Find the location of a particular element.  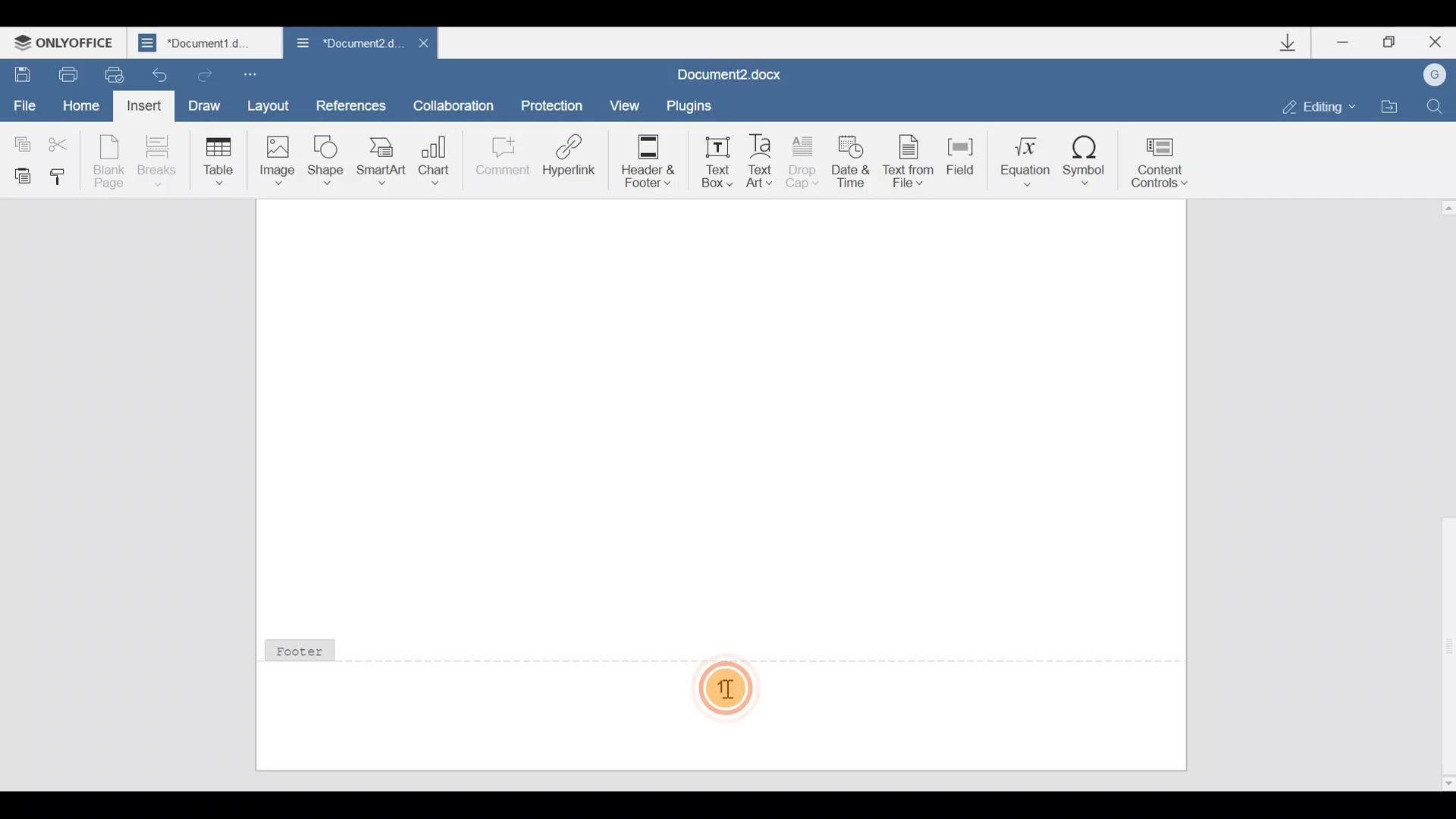

Copy is located at coordinates (19, 140).